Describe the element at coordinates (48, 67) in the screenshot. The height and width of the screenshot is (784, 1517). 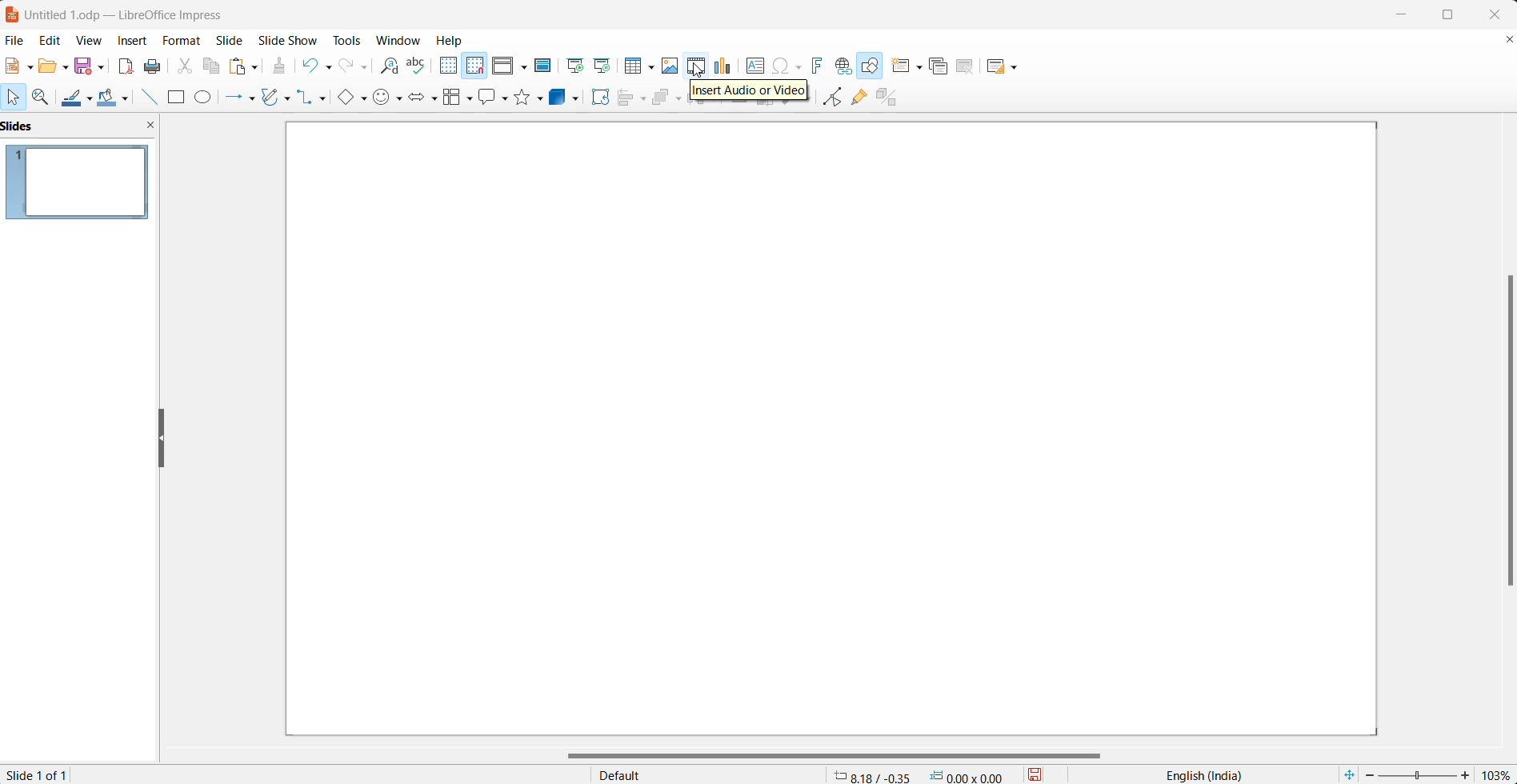
I see `open file` at that location.